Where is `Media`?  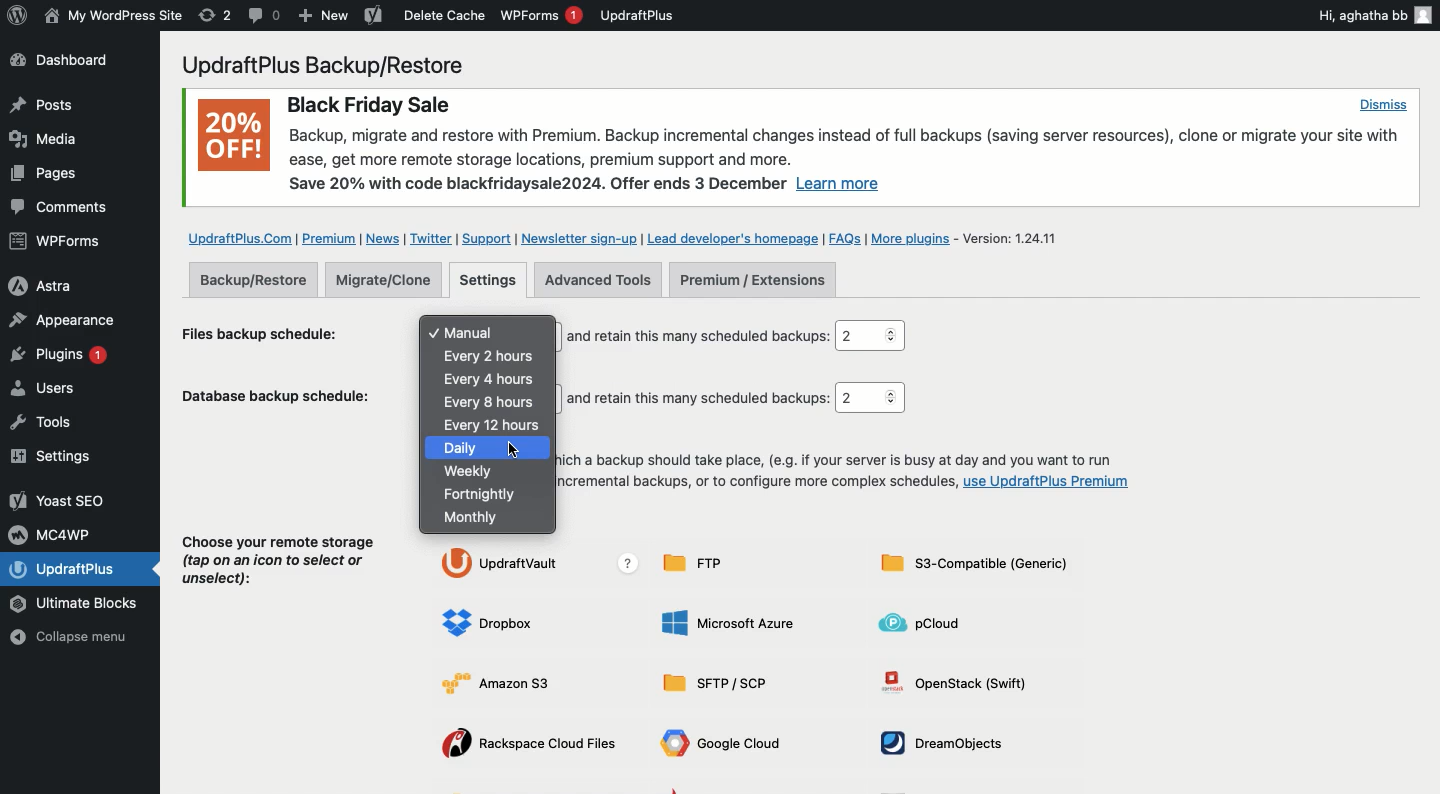
Media is located at coordinates (46, 138).